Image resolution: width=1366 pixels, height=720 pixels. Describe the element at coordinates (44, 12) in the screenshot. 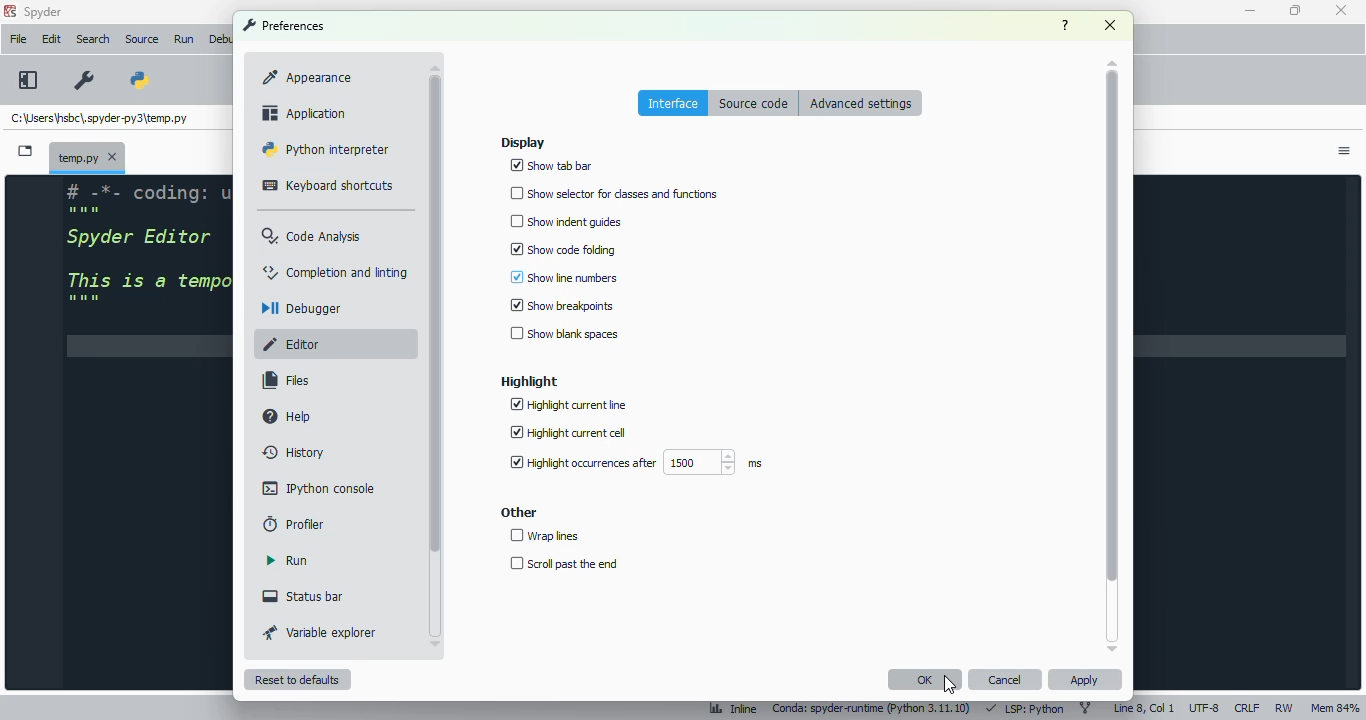

I see `spyder` at that location.